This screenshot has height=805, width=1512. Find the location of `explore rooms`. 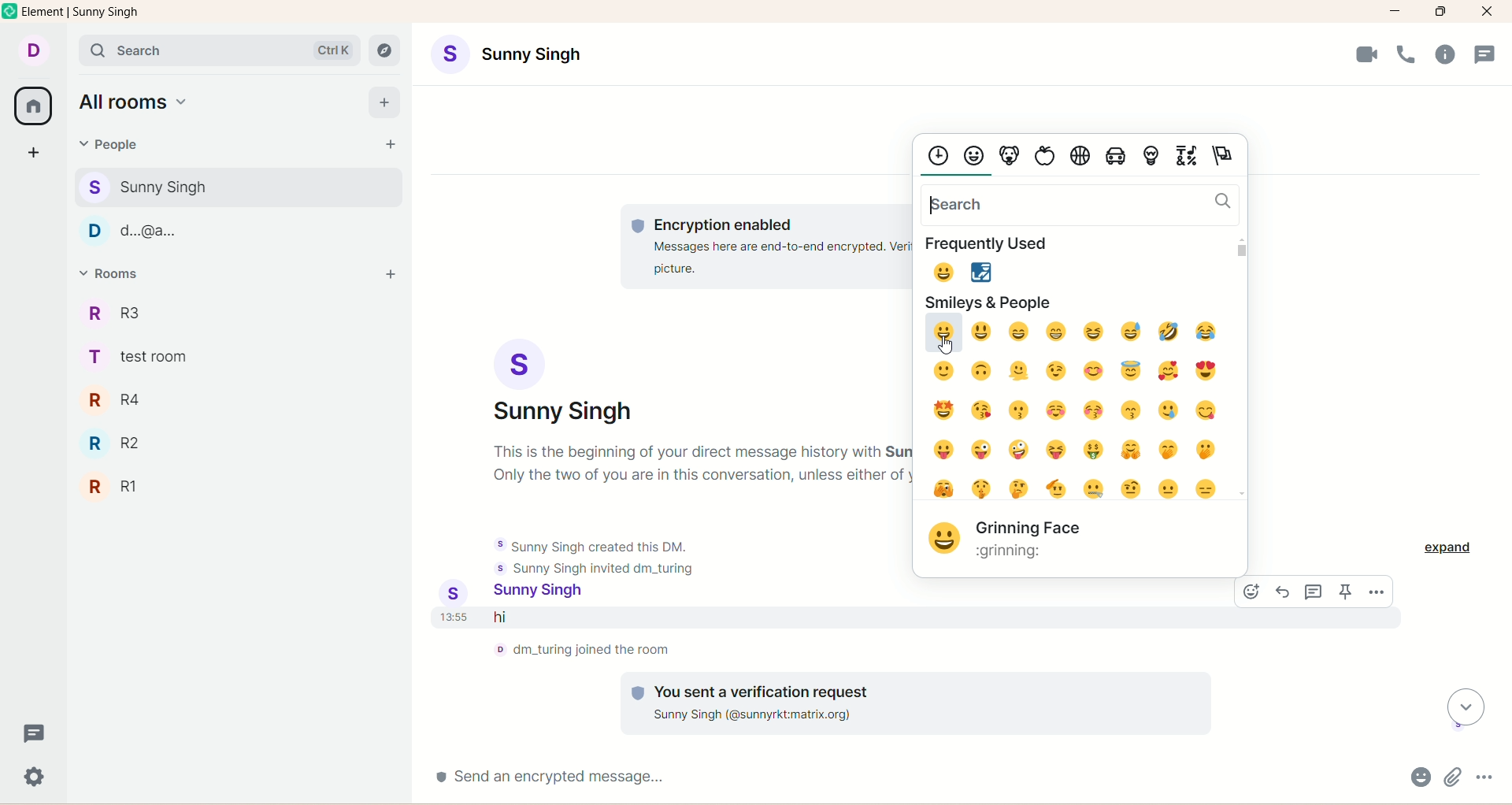

explore rooms is located at coordinates (384, 50).